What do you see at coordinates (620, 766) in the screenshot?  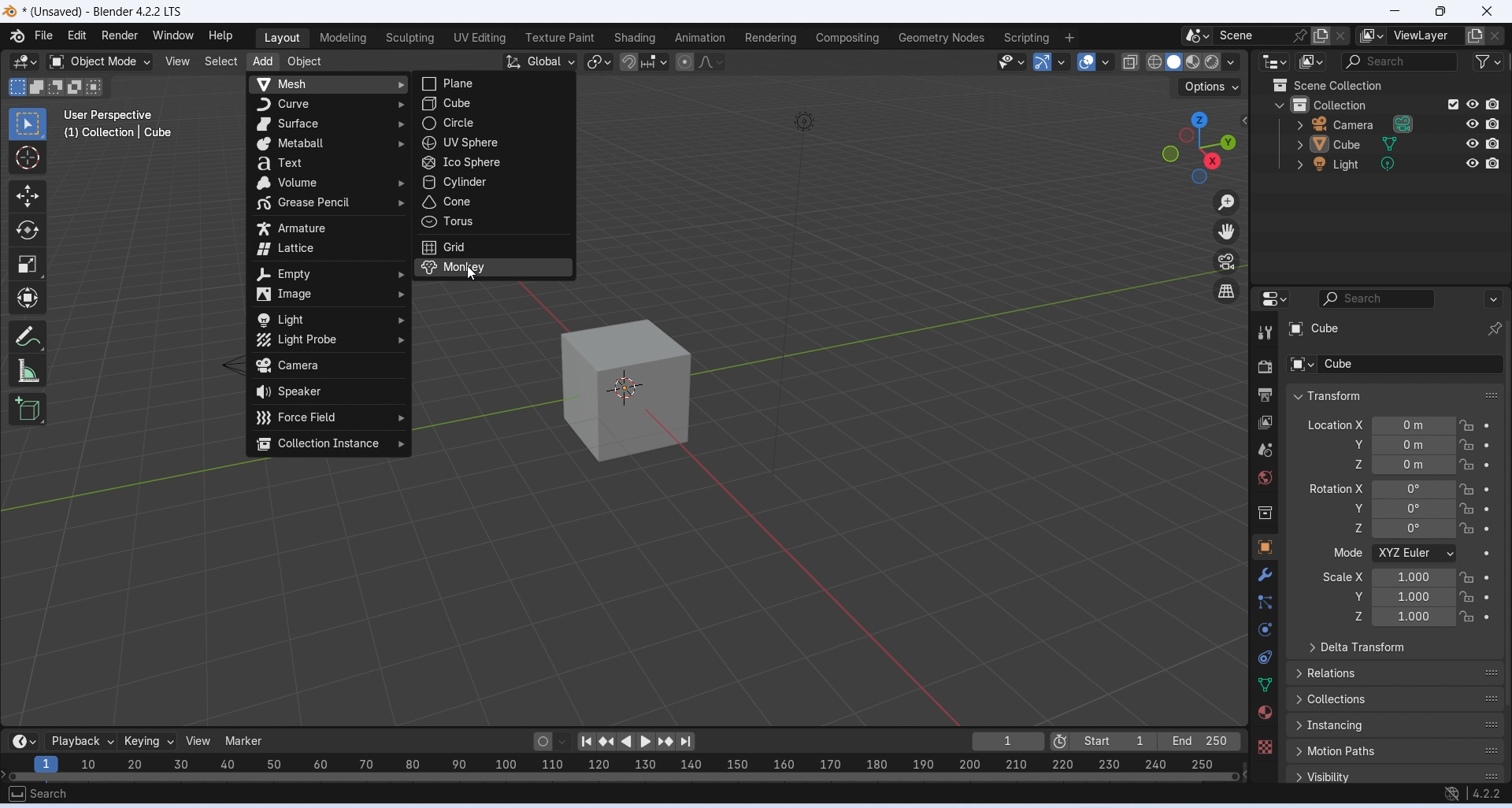 I see `scale` at bounding box center [620, 766].